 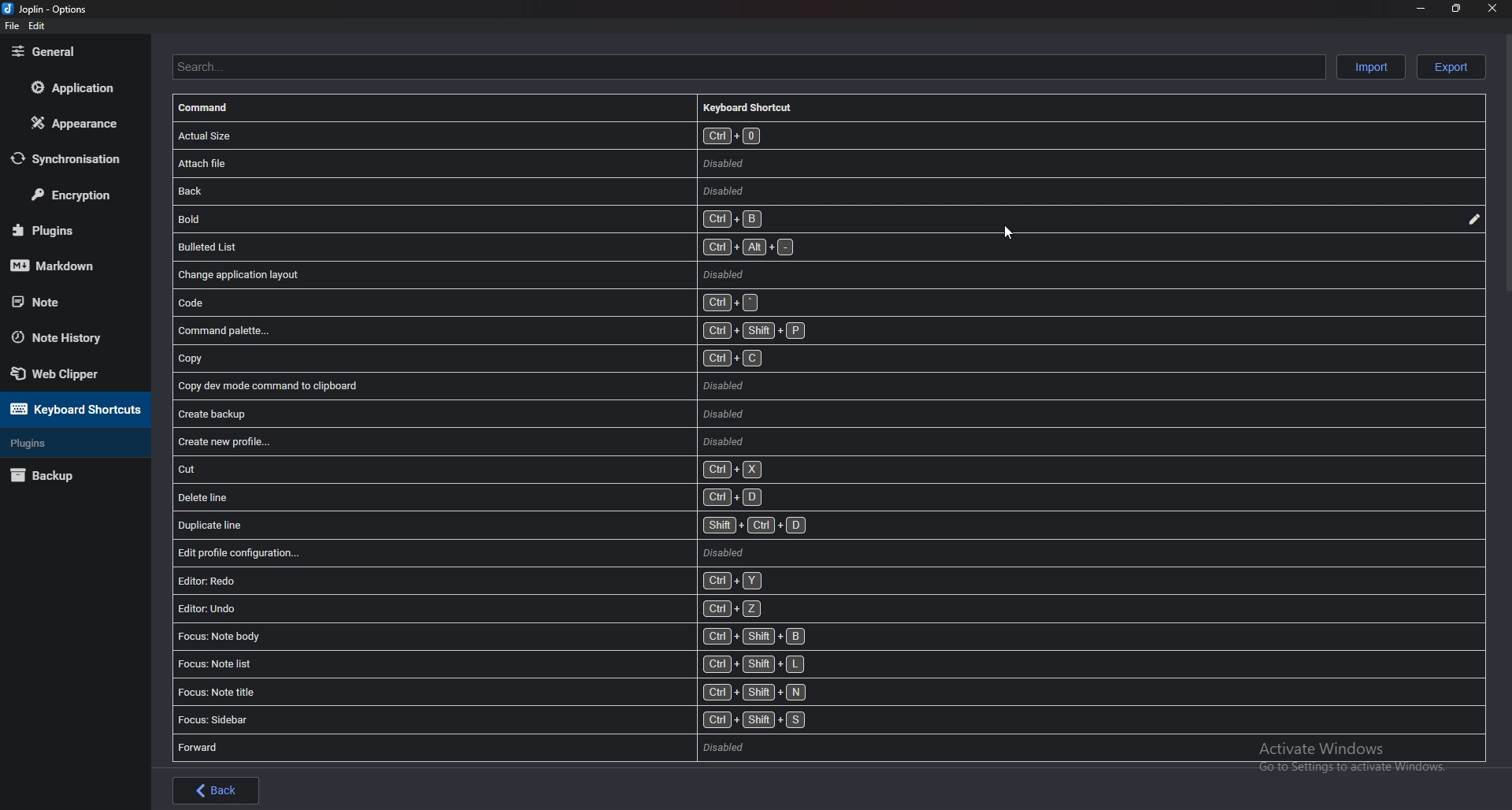 I want to click on Edit profile configuration, so click(x=460, y=553).